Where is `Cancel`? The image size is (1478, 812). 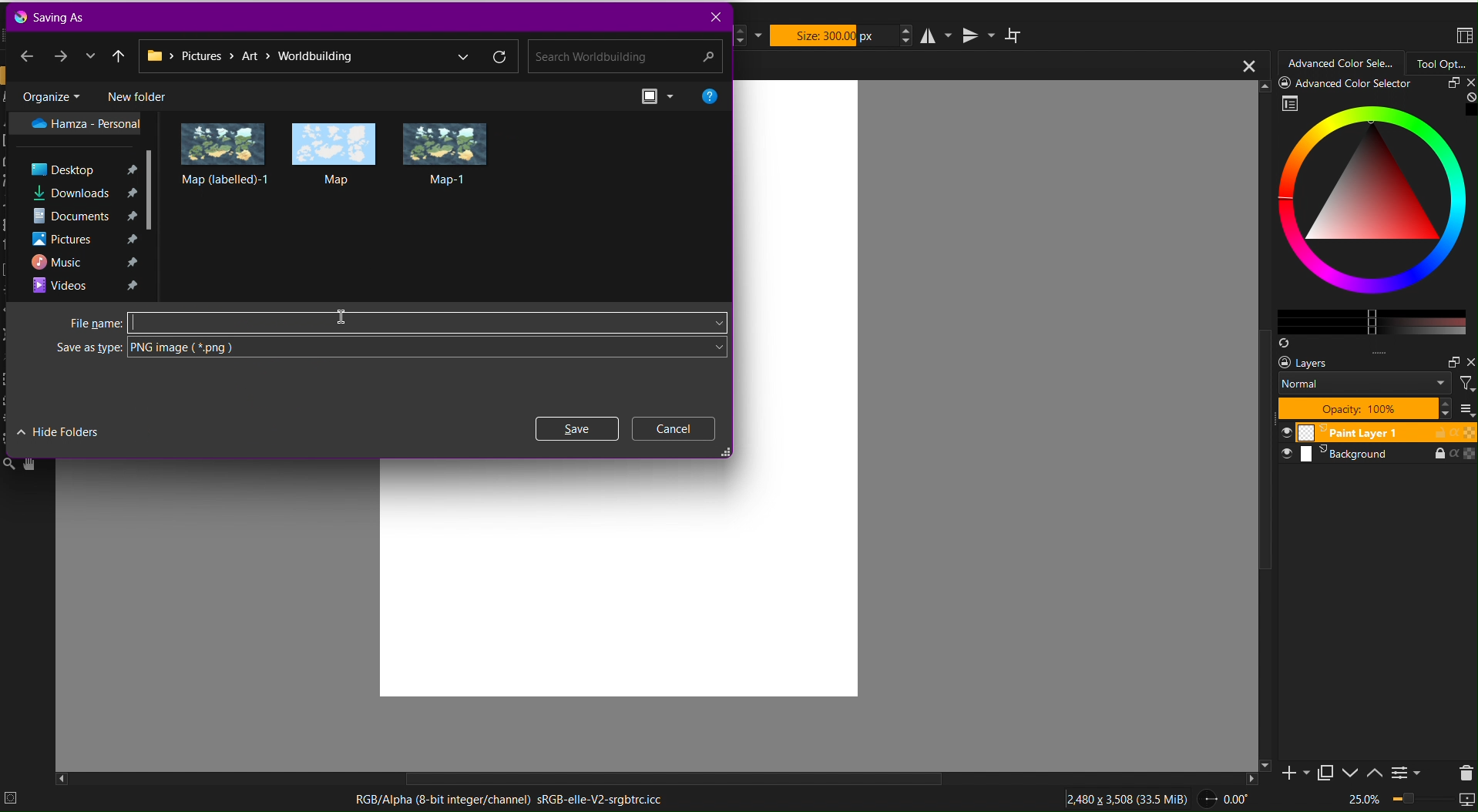 Cancel is located at coordinates (674, 428).